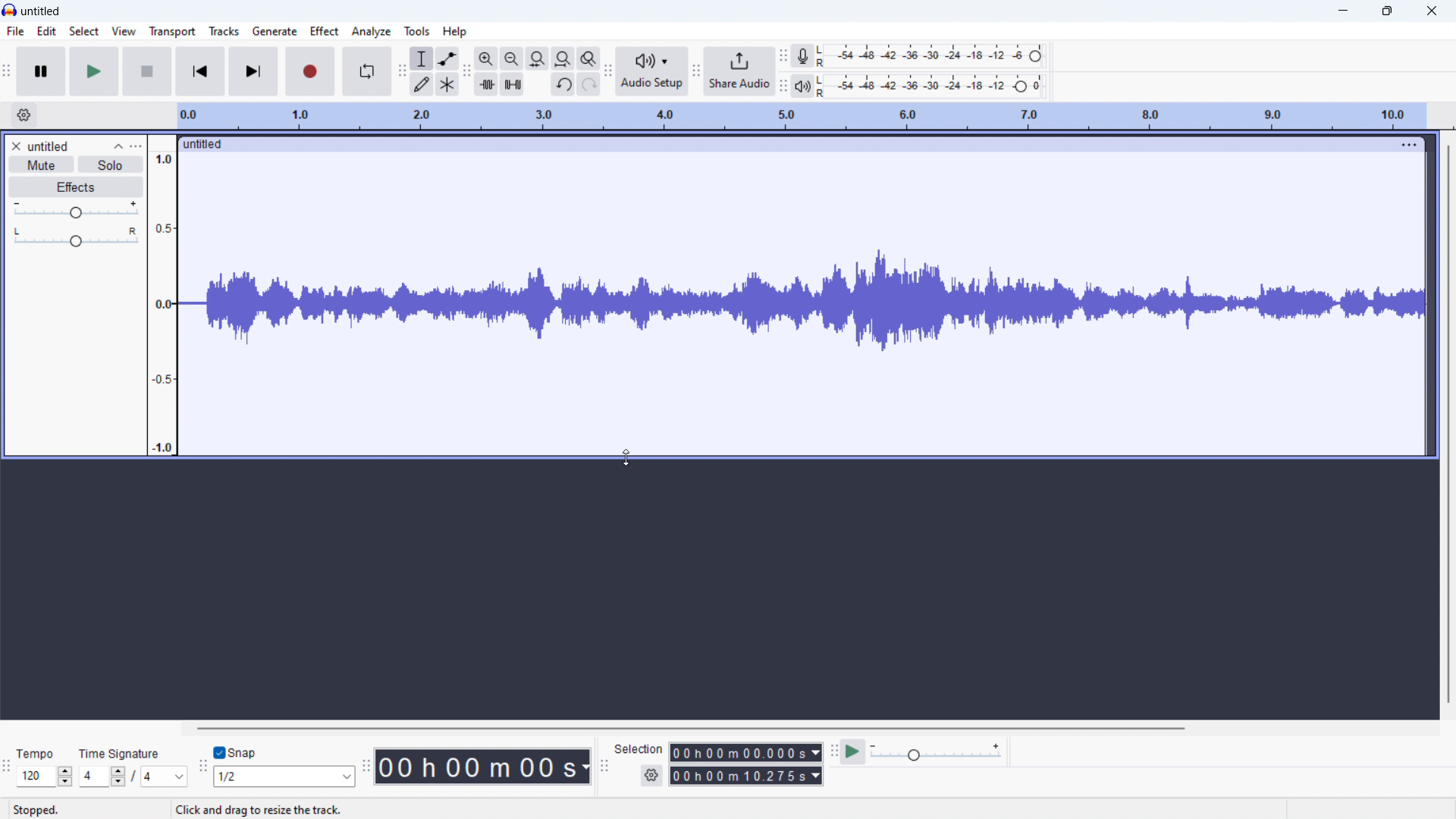 This screenshot has width=1456, height=819. I want to click on undo, so click(563, 85).